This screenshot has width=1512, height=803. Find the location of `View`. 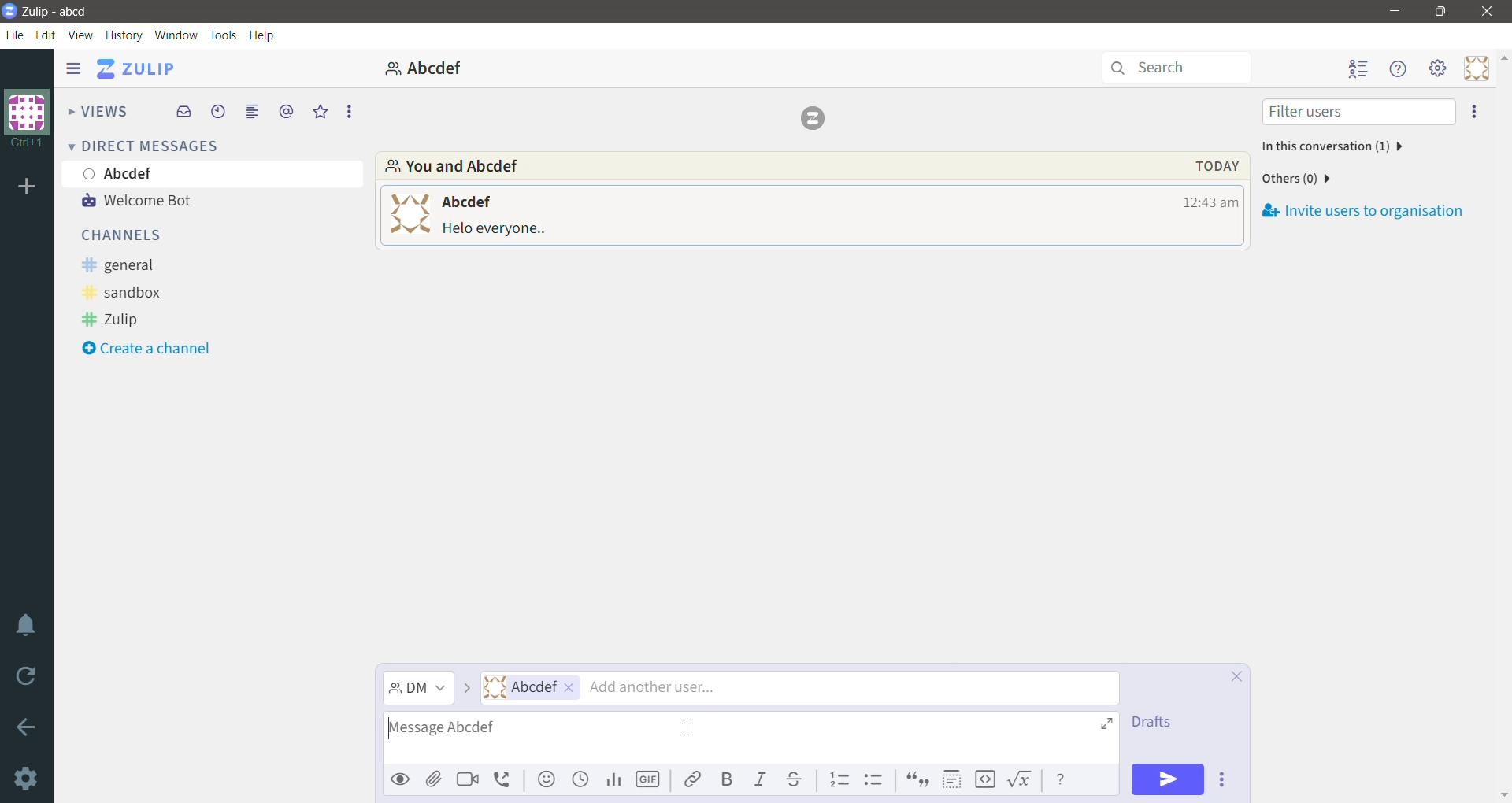

View is located at coordinates (81, 35).